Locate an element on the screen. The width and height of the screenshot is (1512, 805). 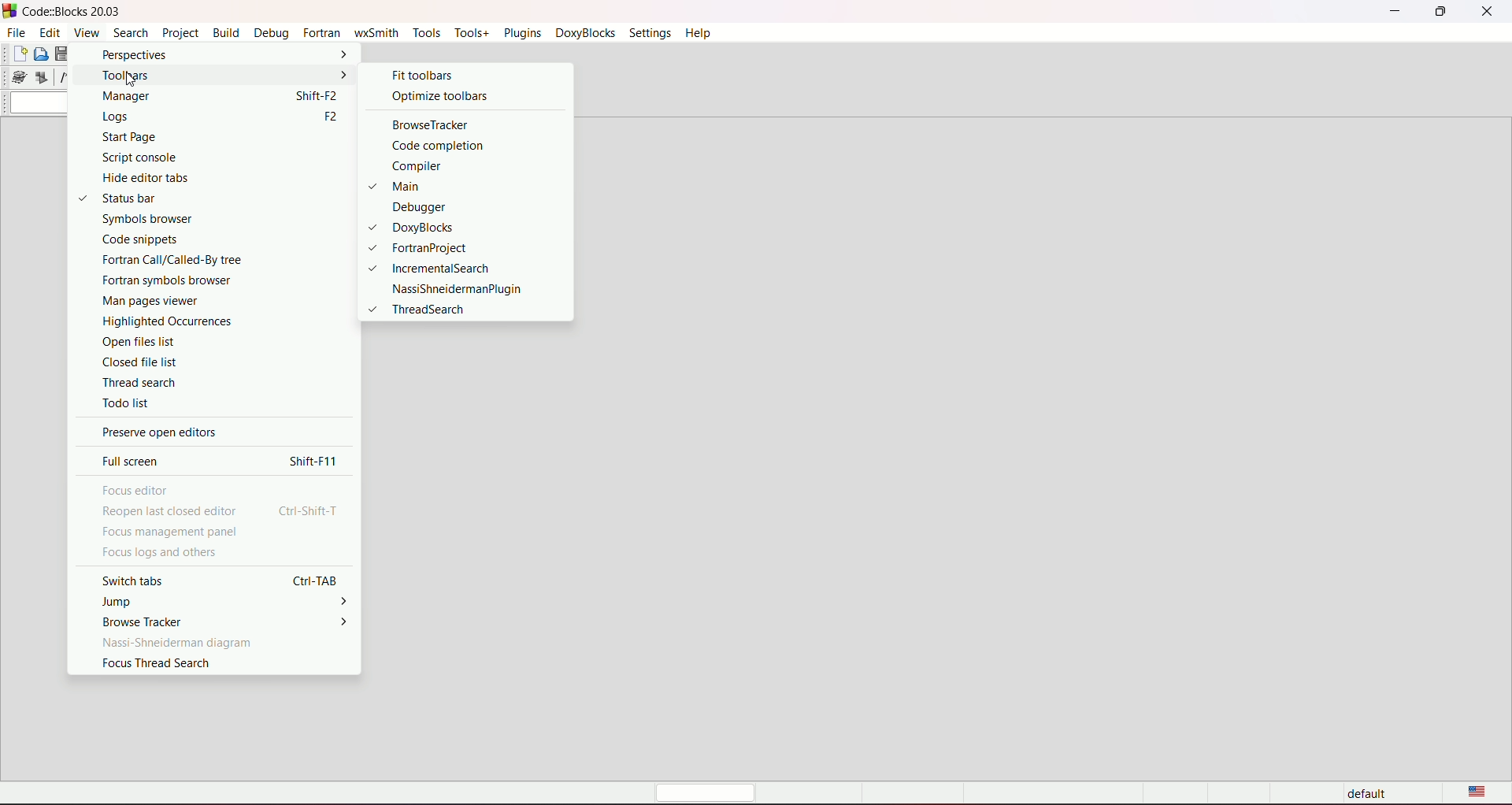
hide editor tabs is located at coordinates (195, 177).